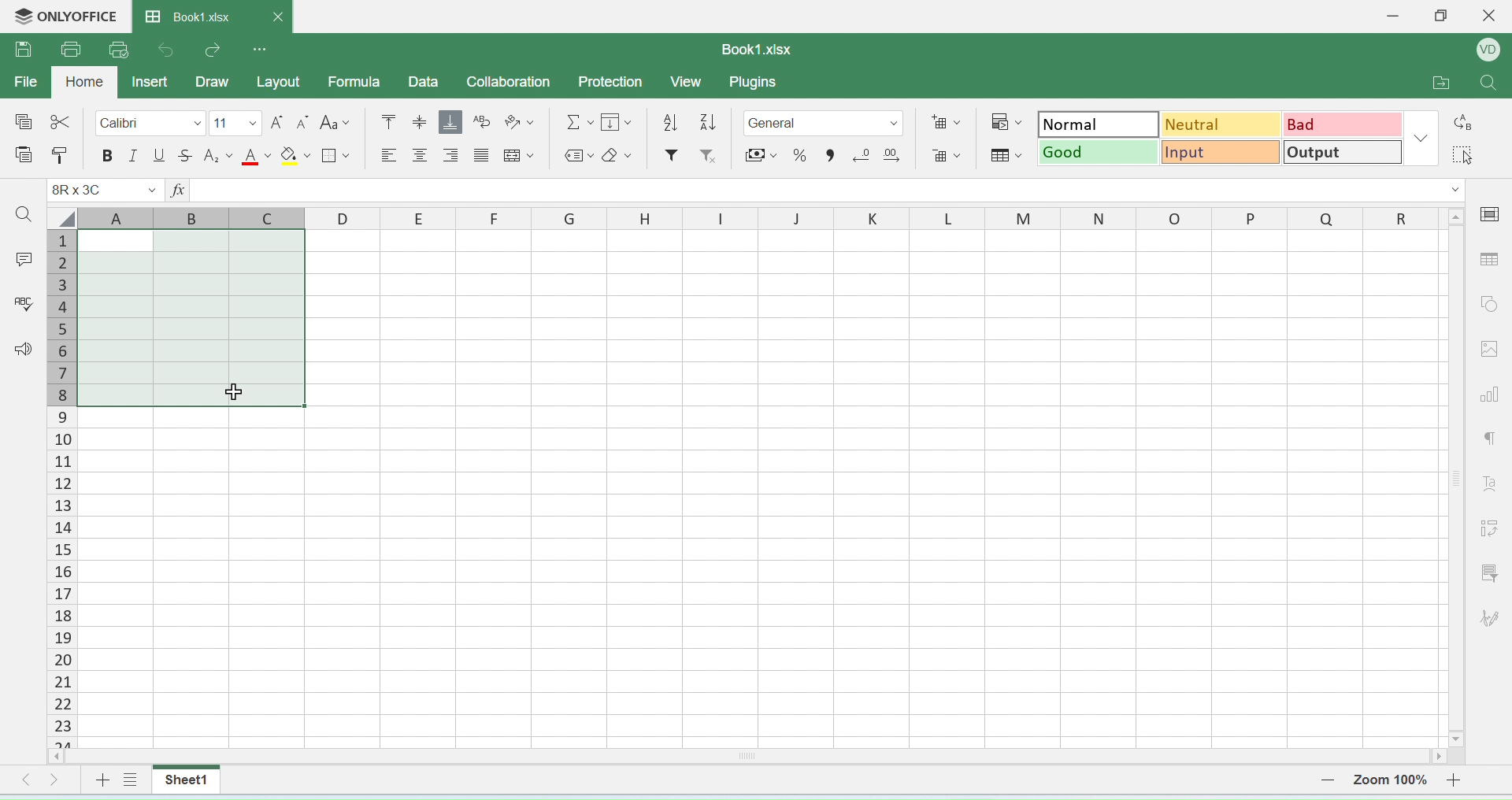  What do you see at coordinates (864, 154) in the screenshot?
I see `remove decimal` at bounding box center [864, 154].